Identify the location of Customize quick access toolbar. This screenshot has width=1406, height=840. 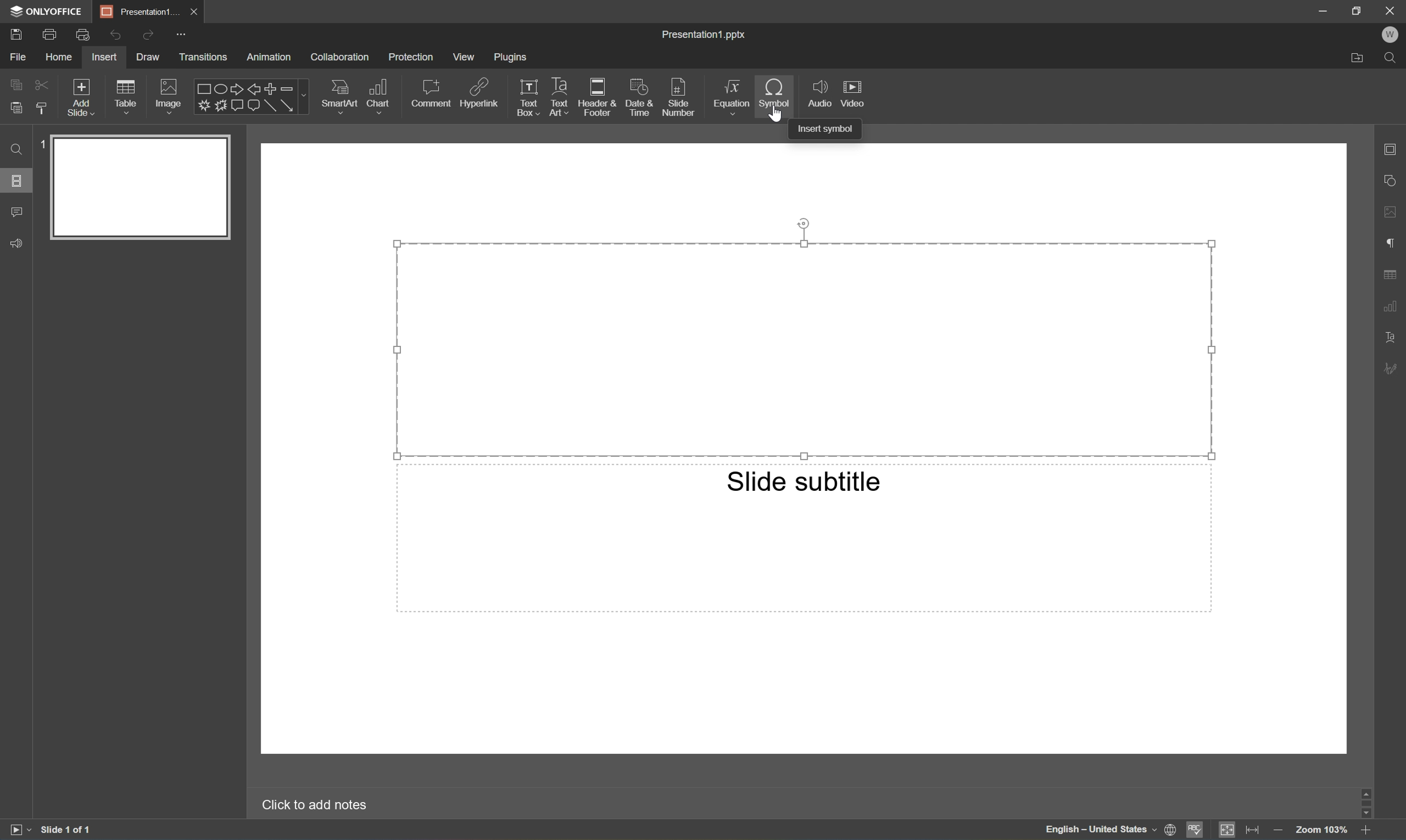
(181, 36).